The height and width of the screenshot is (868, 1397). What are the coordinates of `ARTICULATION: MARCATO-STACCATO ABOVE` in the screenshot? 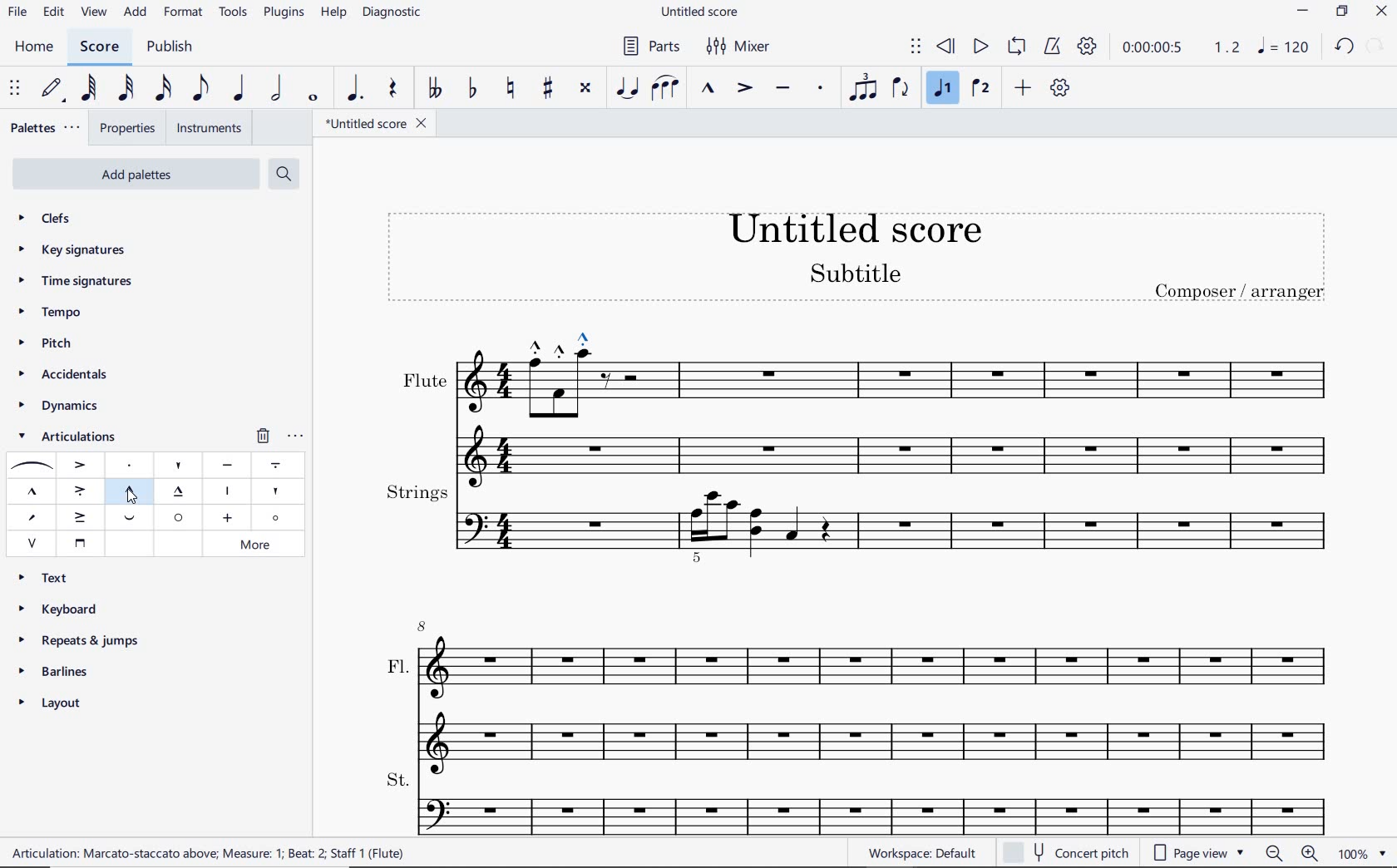 It's located at (214, 854).